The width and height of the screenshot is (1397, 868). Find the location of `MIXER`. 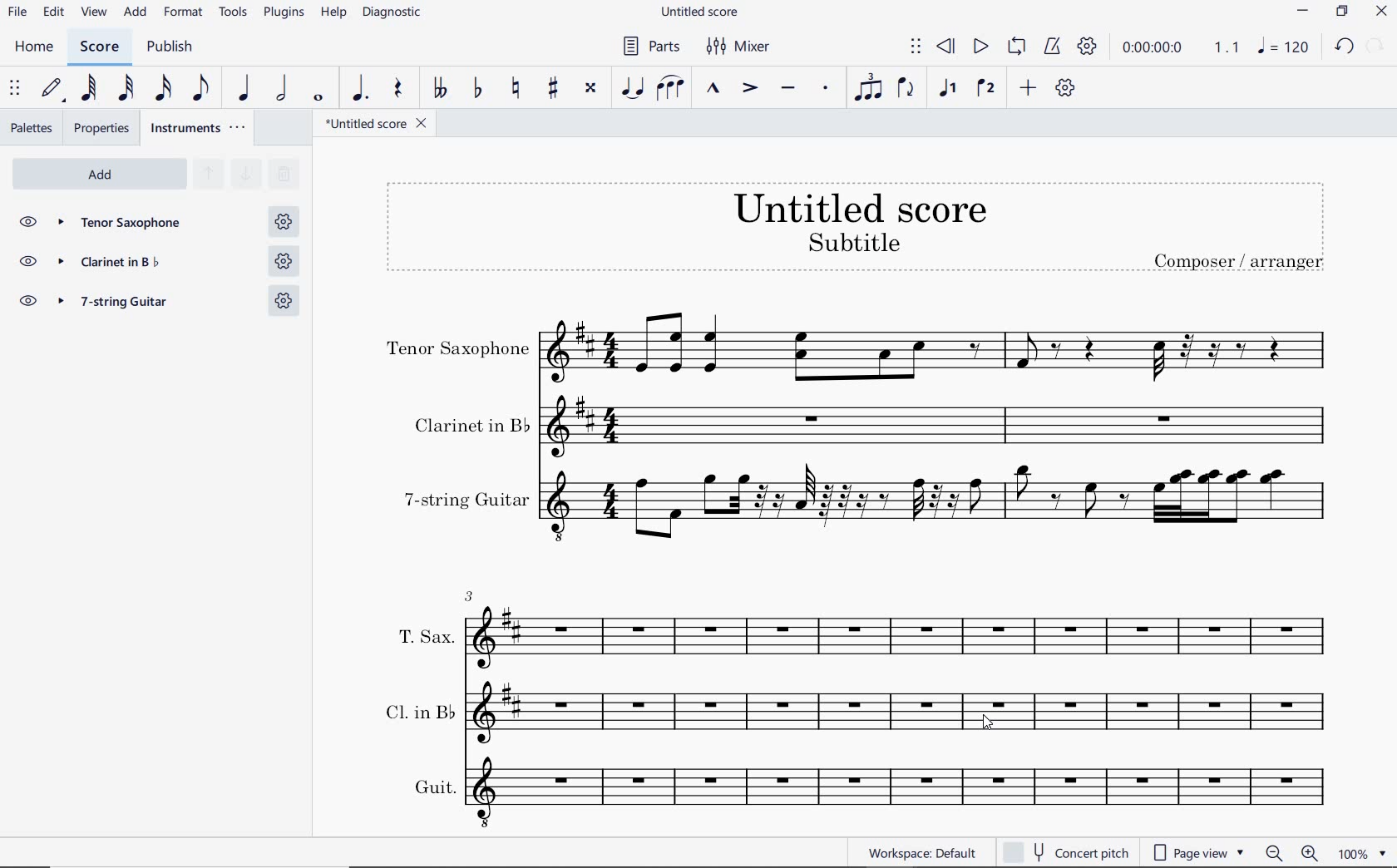

MIXER is located at coordinates (740, 47).